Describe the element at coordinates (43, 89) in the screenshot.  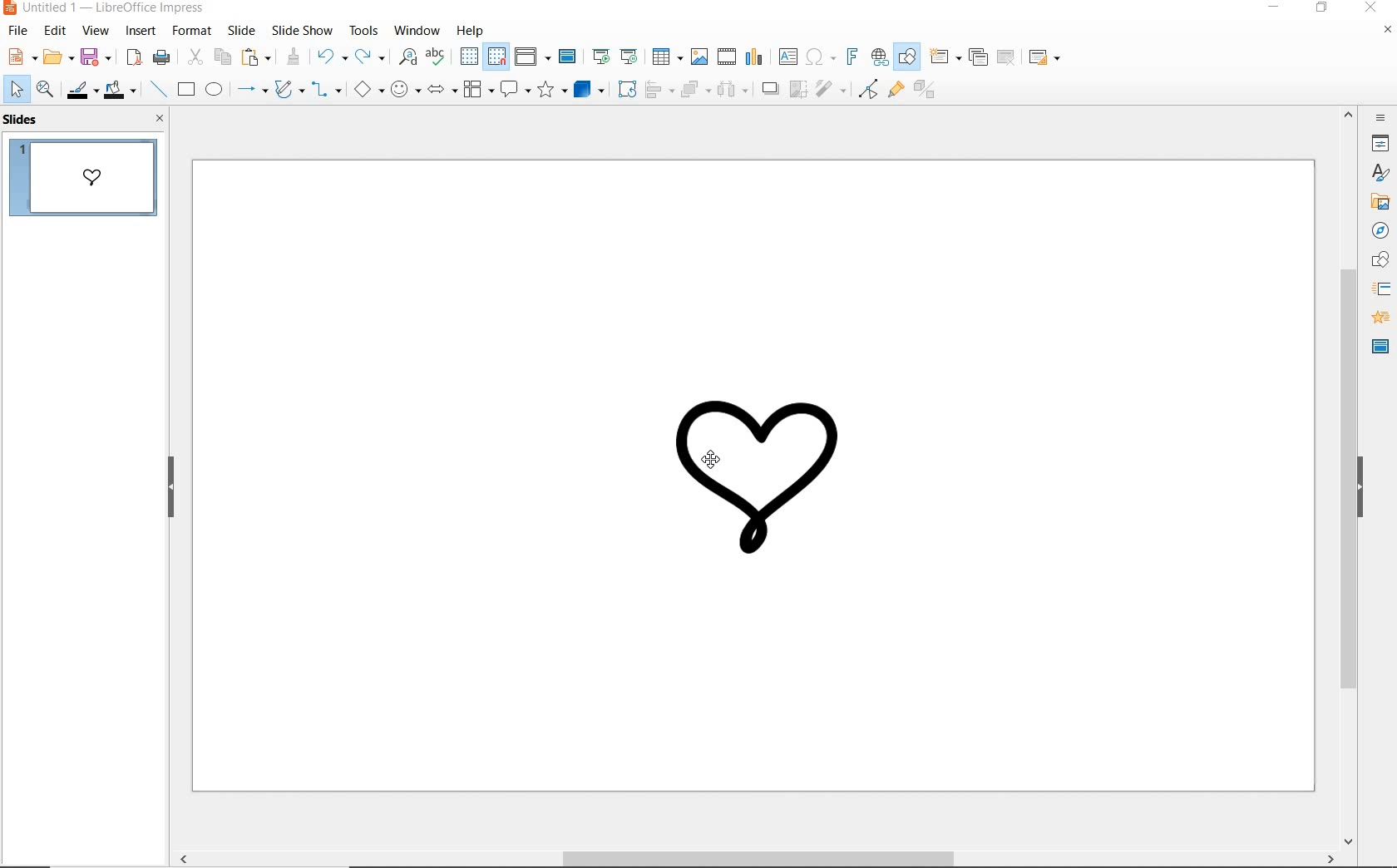
I see `zoom and pan` at that location.